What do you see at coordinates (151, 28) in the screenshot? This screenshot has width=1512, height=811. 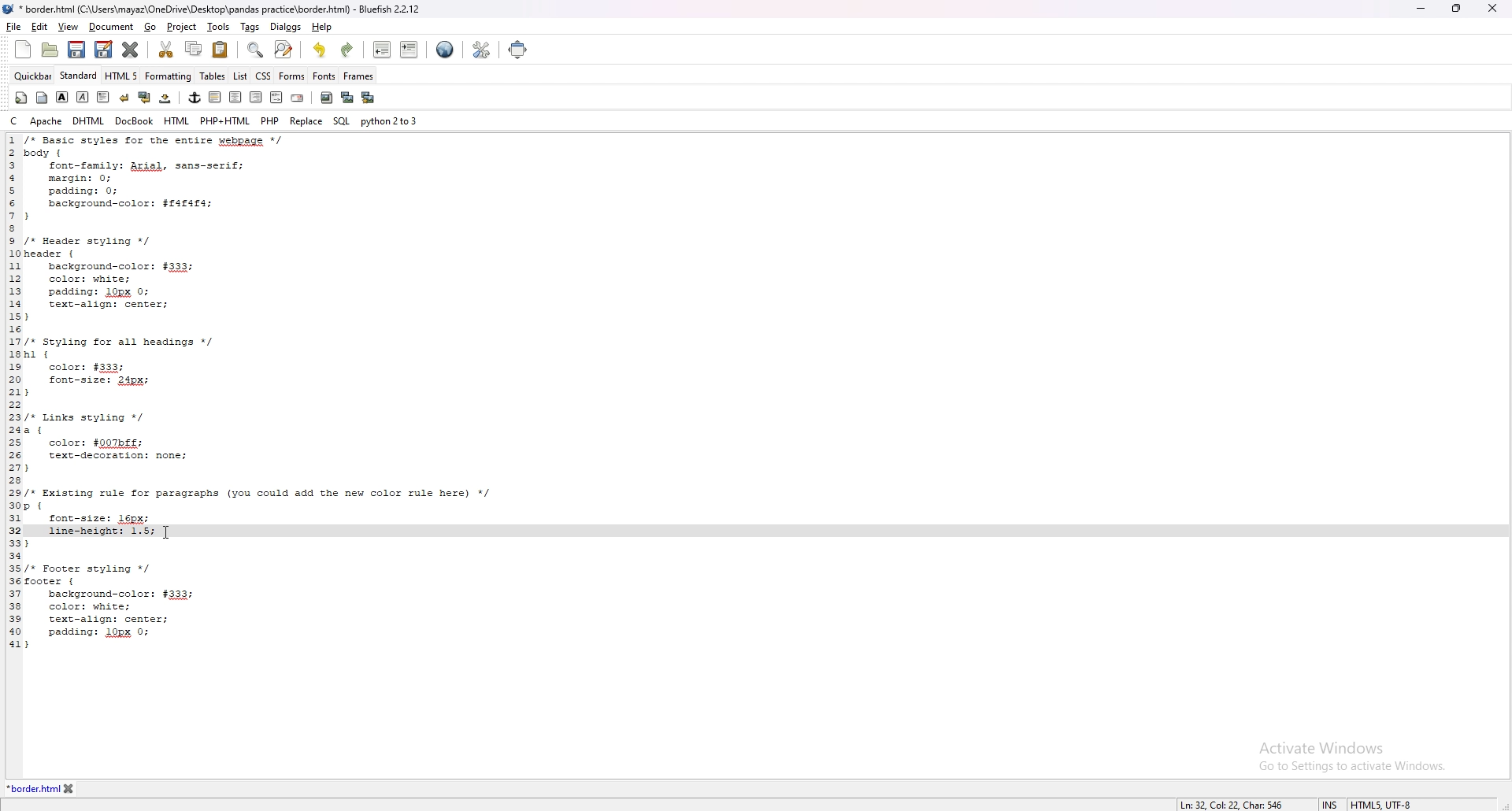 I see `go` at bounding box center [151, 28].